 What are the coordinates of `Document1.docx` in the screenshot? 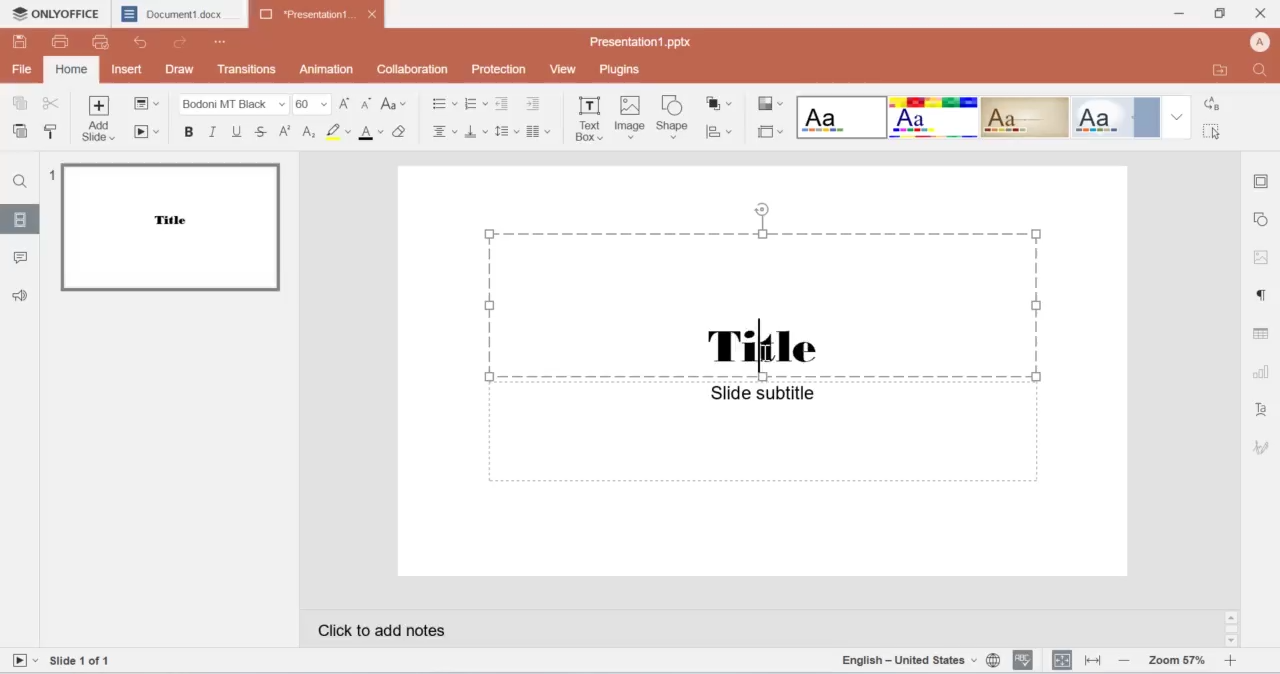 It's located at (179, 13).